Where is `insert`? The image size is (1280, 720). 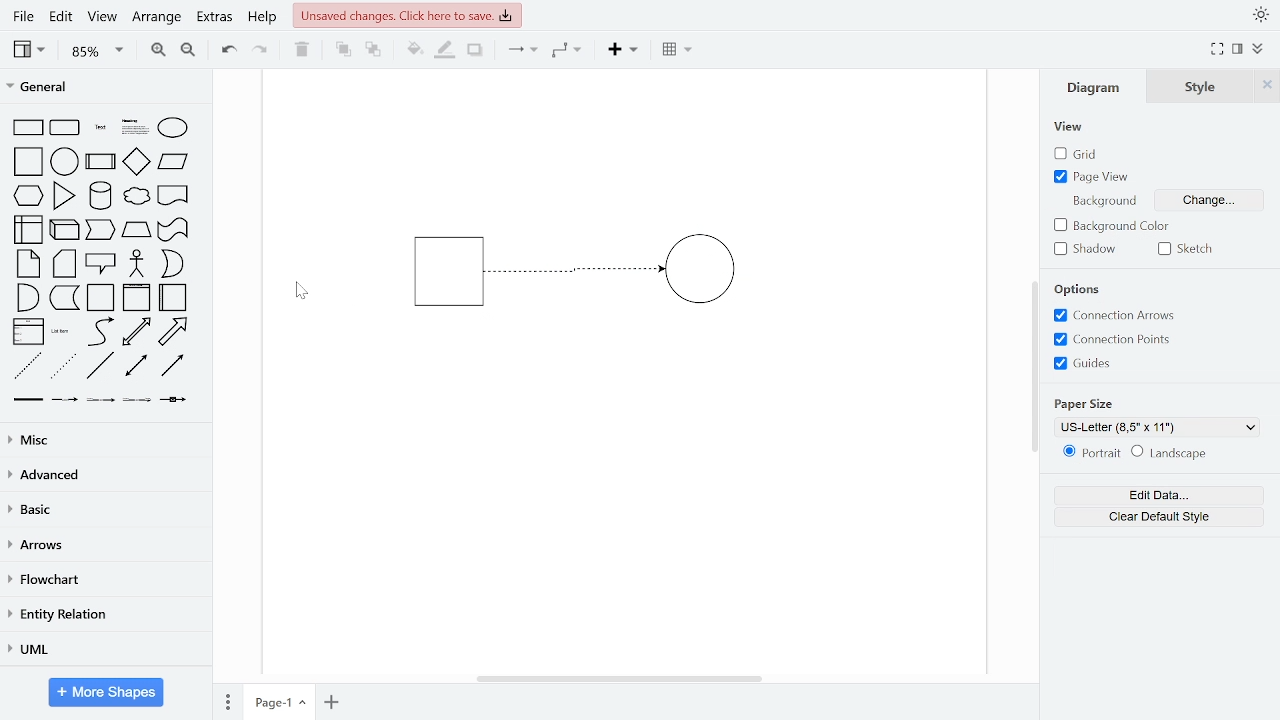 insert is located at coordinates (628, 50).